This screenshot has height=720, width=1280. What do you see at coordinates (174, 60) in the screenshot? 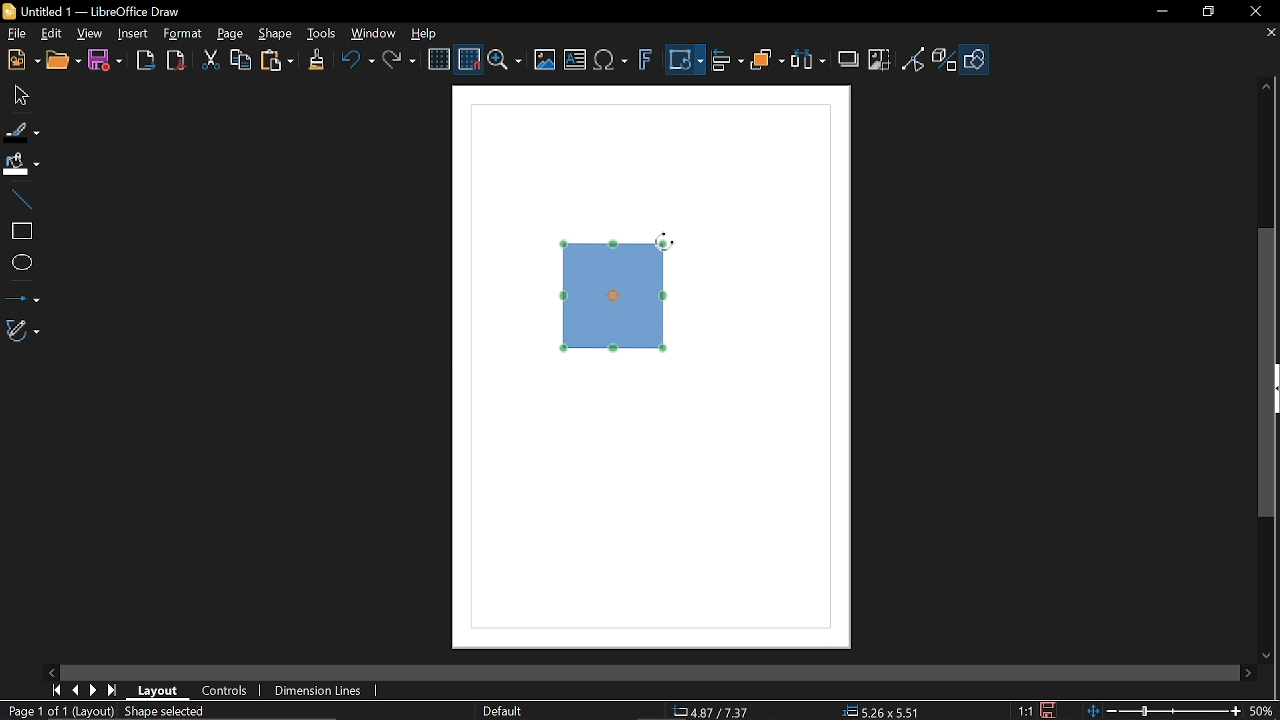
I see `Export to pdf` at bounding box center [174, 60].